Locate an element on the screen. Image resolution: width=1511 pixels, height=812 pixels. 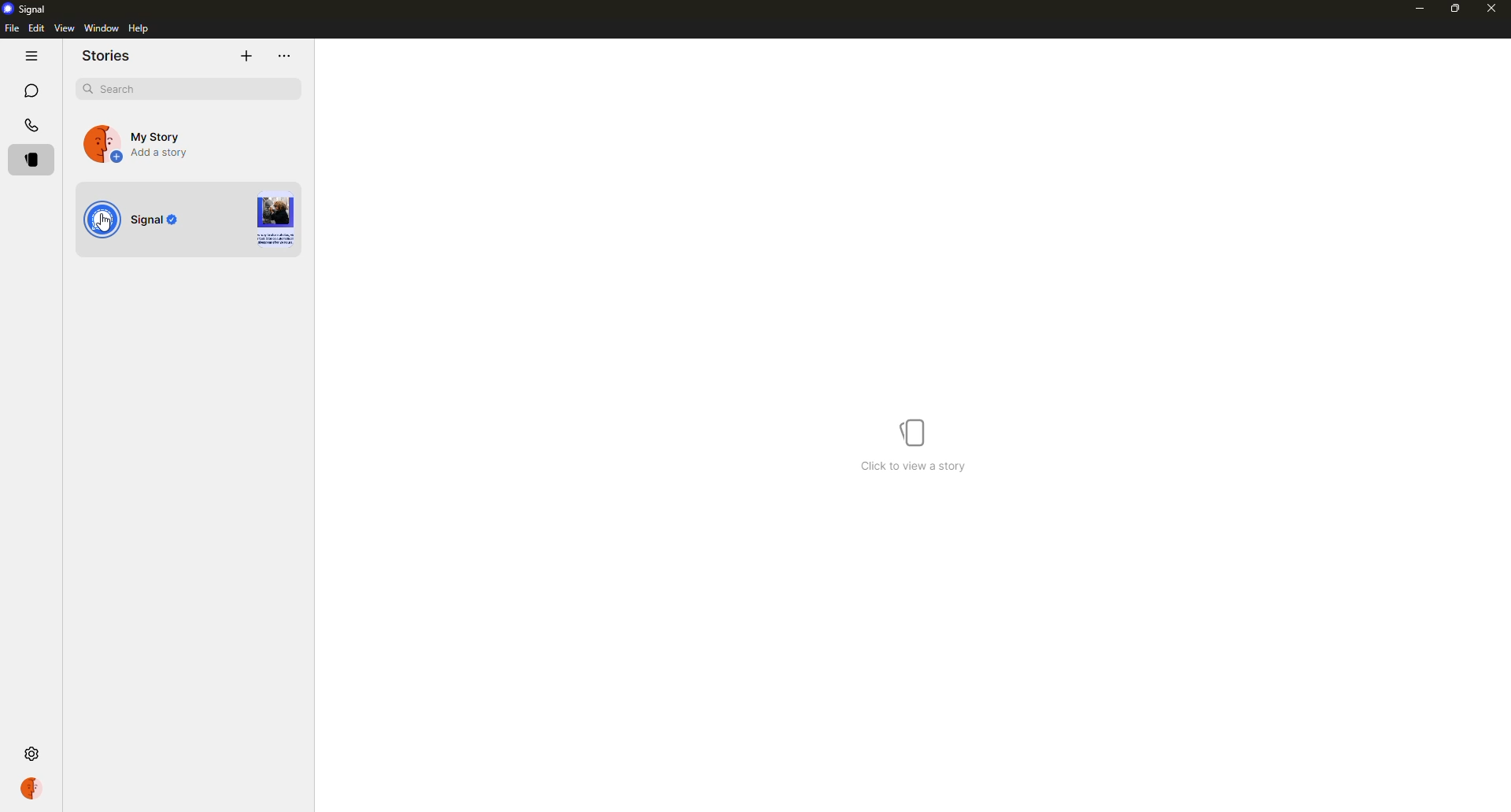
search is located at coordinates (120, 90).